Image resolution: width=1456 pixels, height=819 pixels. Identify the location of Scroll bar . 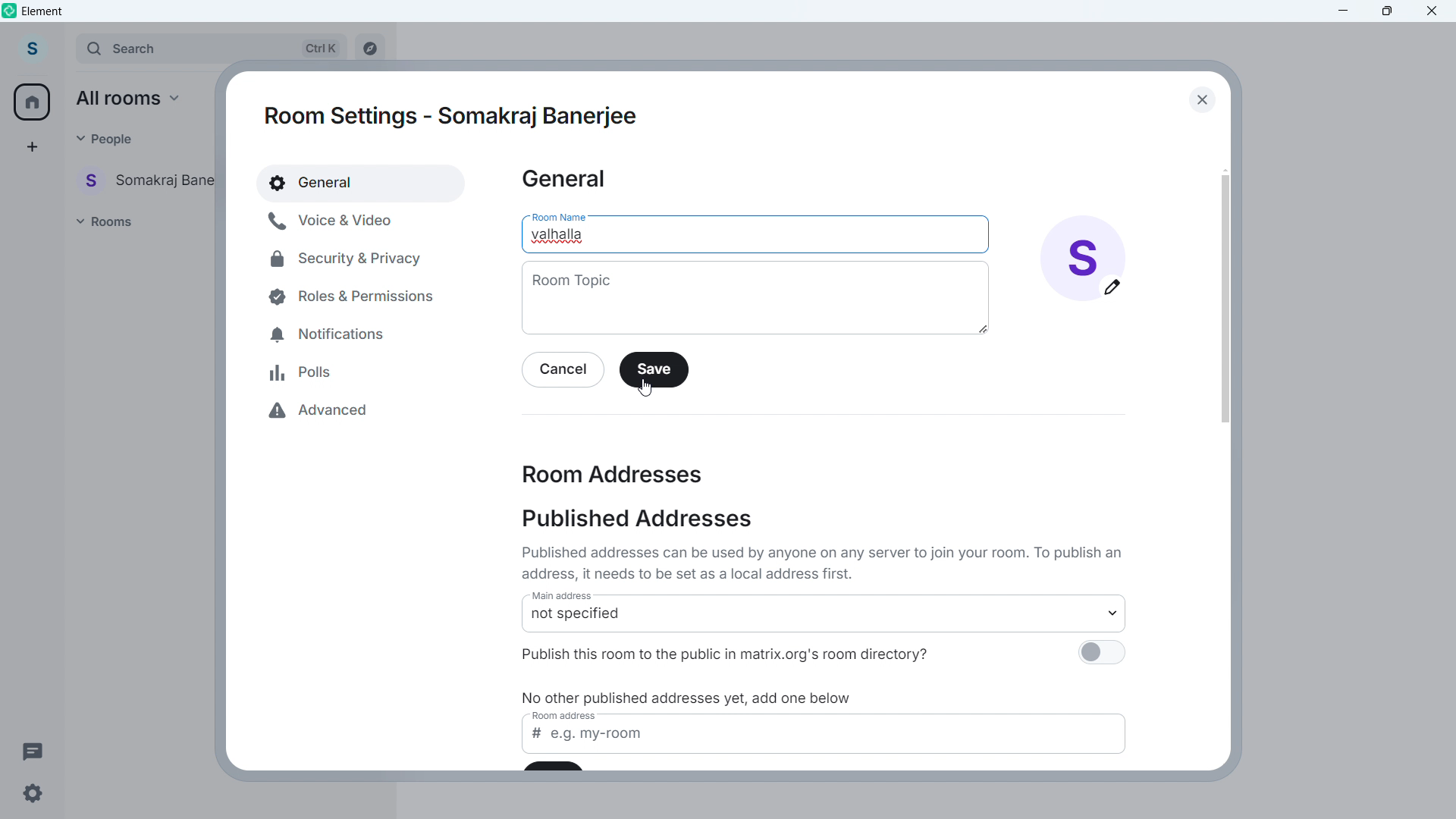
(1224, 298).